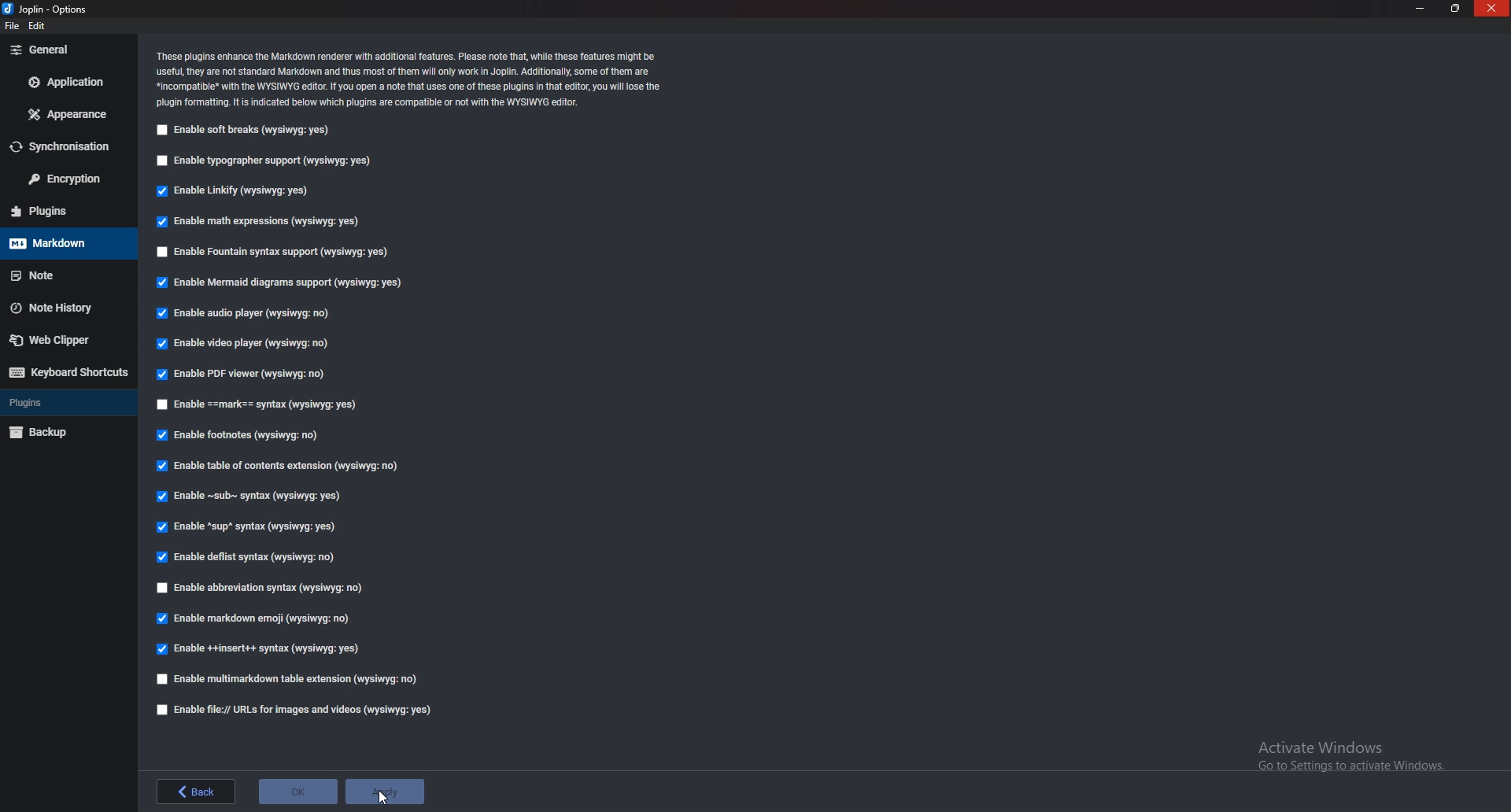 The image size is (1511, 812). Describe the element at coordinates (65, 116) in the screenshot. I see `Appearance` at that location.